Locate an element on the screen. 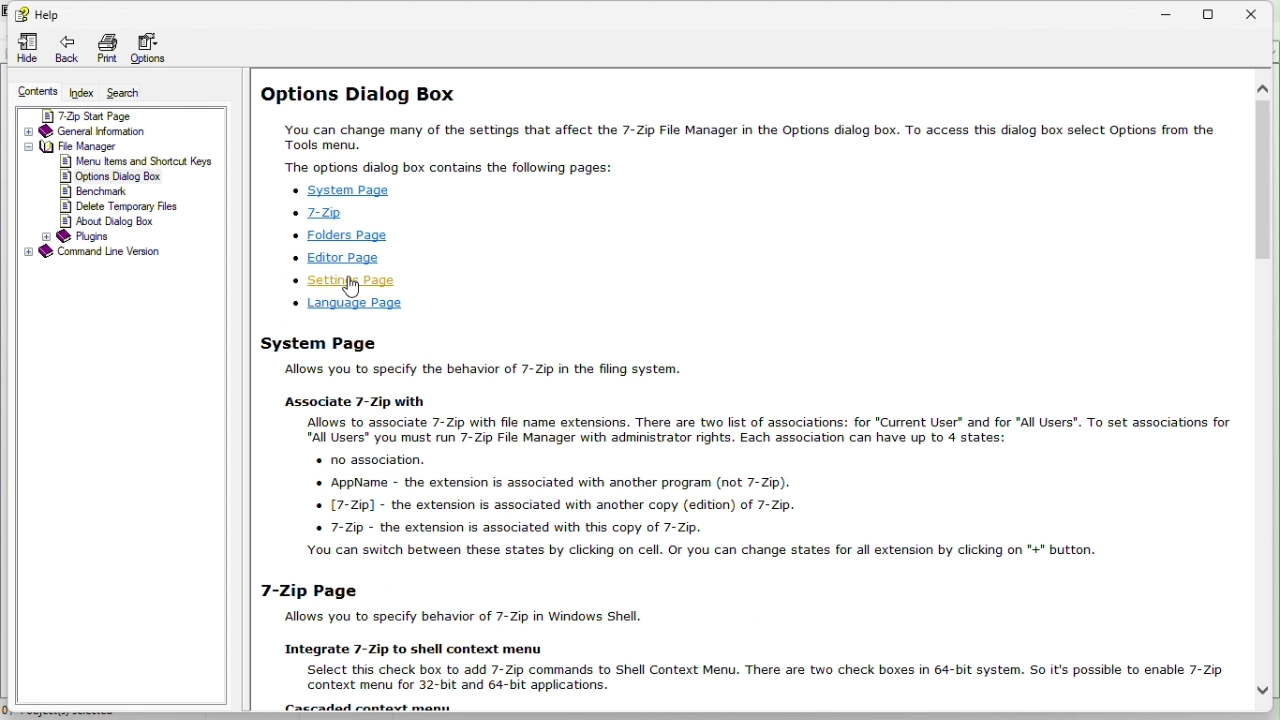  cursor is located at coordinates (355, 288).